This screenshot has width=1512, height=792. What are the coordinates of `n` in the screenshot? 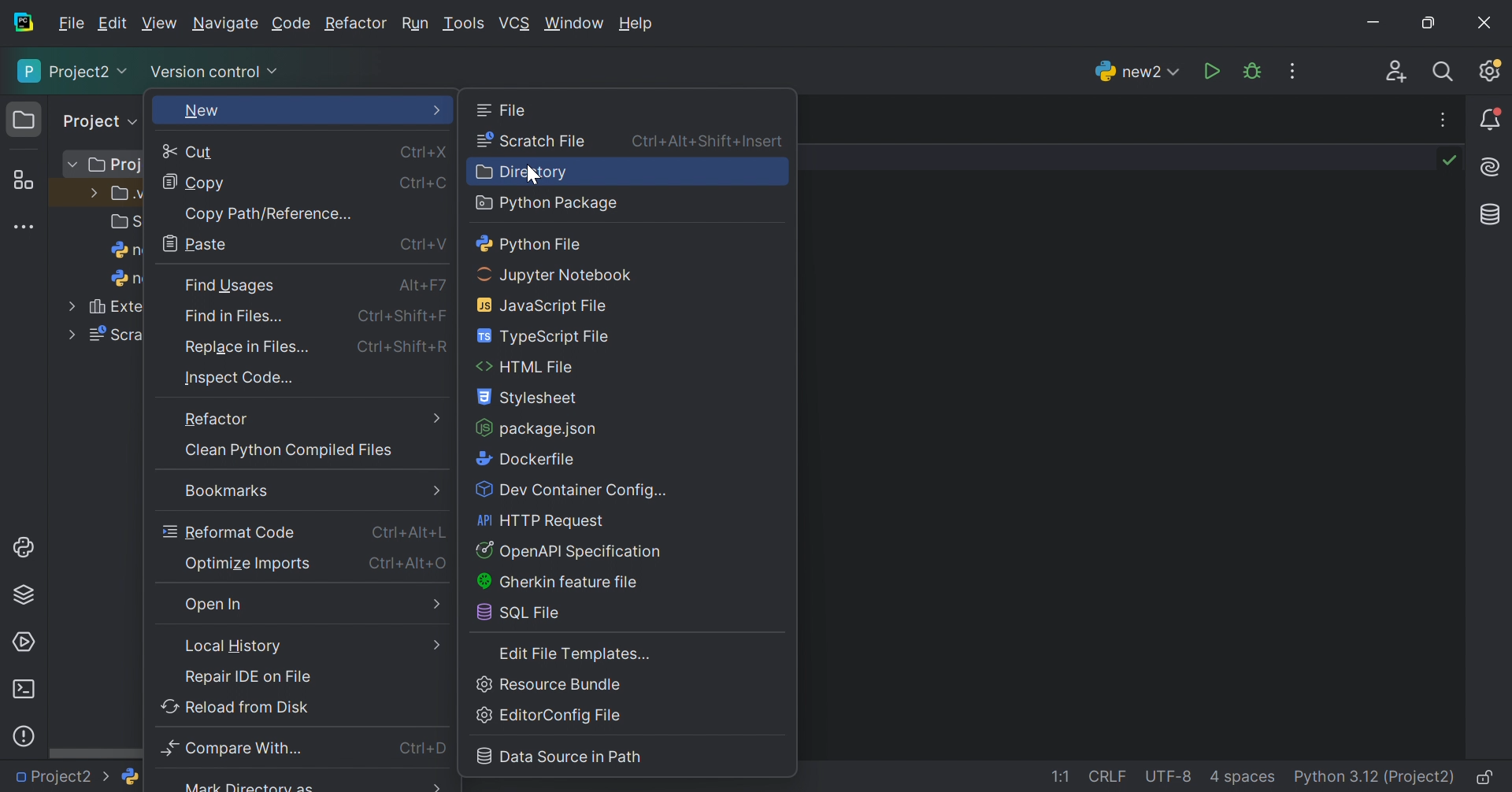 It's located at (121, 250).